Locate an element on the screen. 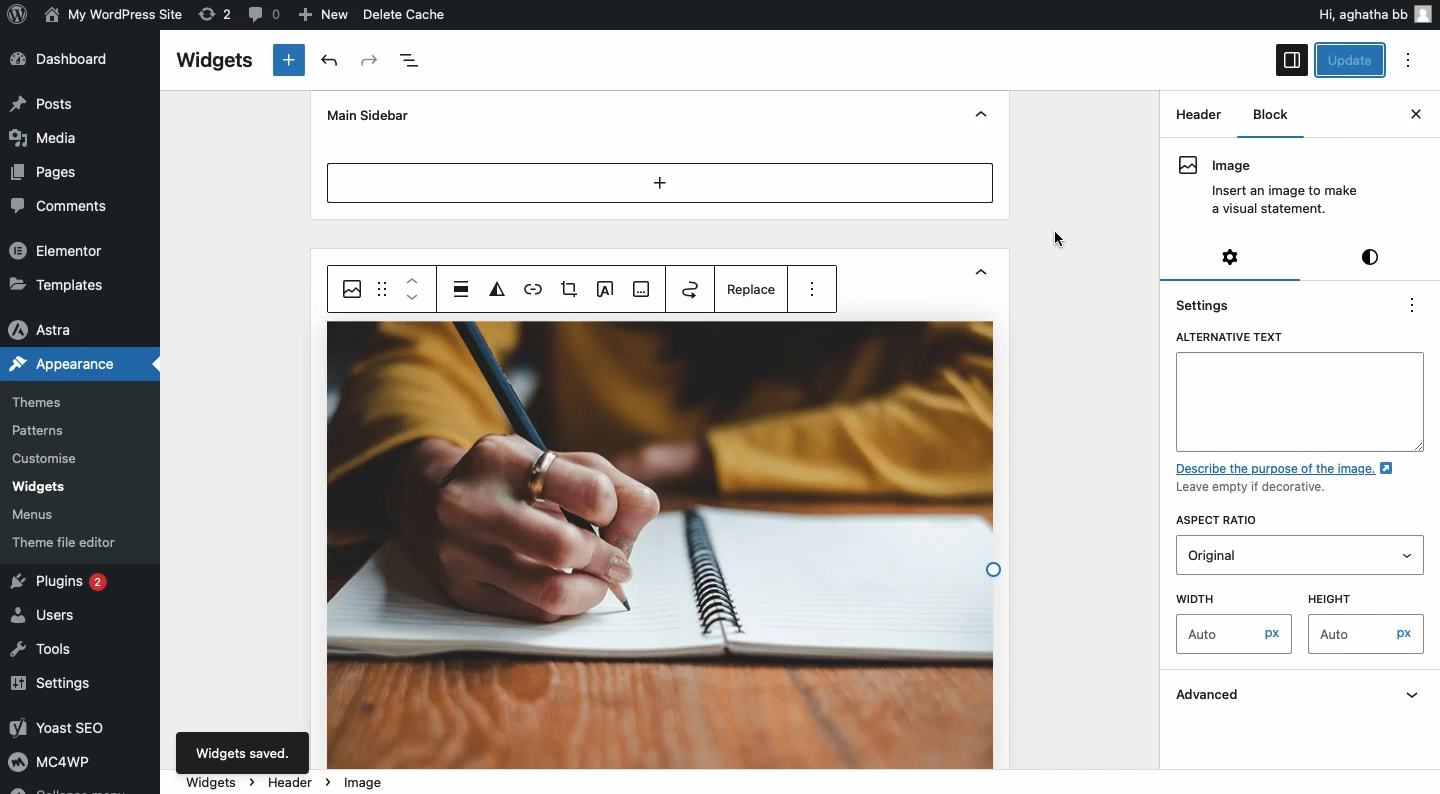 Image resolution: width=1440 pixels, height=794 pixels. Header is located at coordinates (296, 781).